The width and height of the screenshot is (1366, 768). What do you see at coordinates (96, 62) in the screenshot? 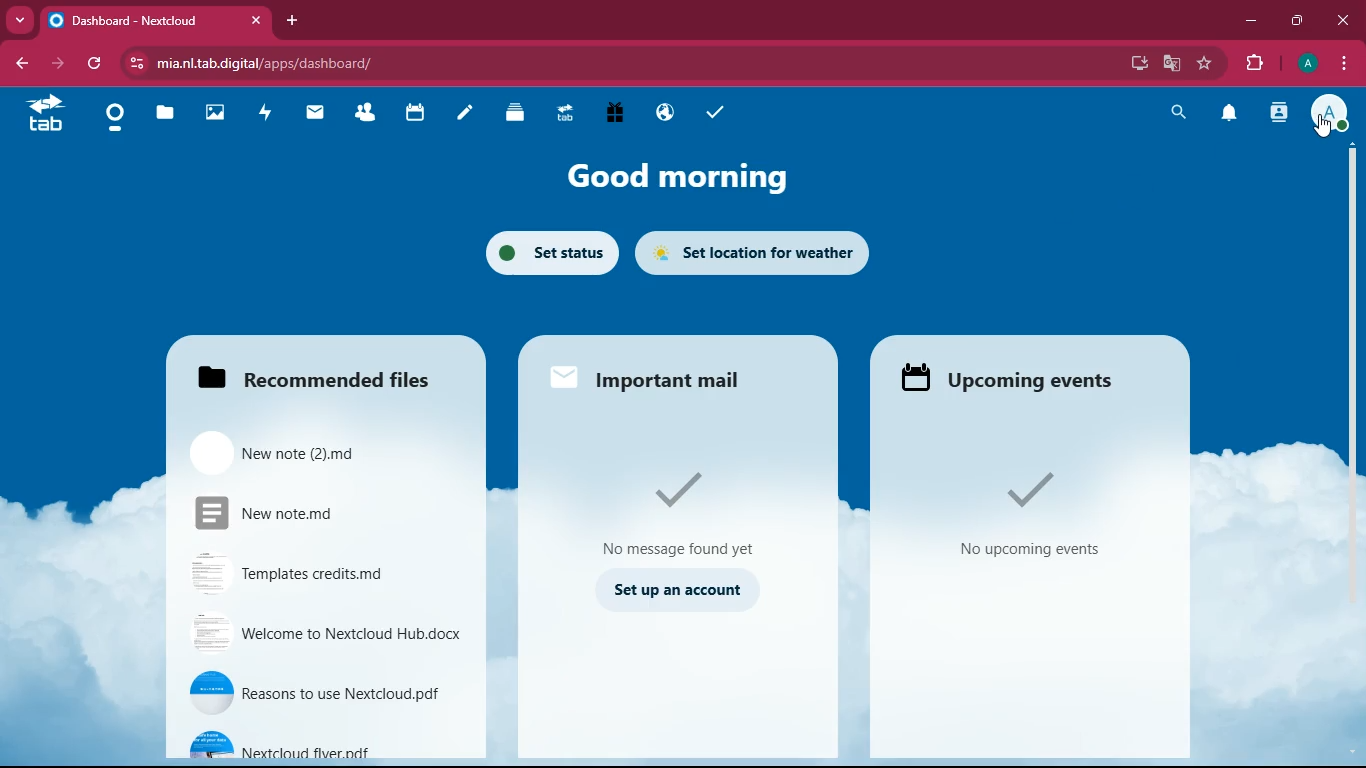
I see `refresh` at bounding box center [96, 62].